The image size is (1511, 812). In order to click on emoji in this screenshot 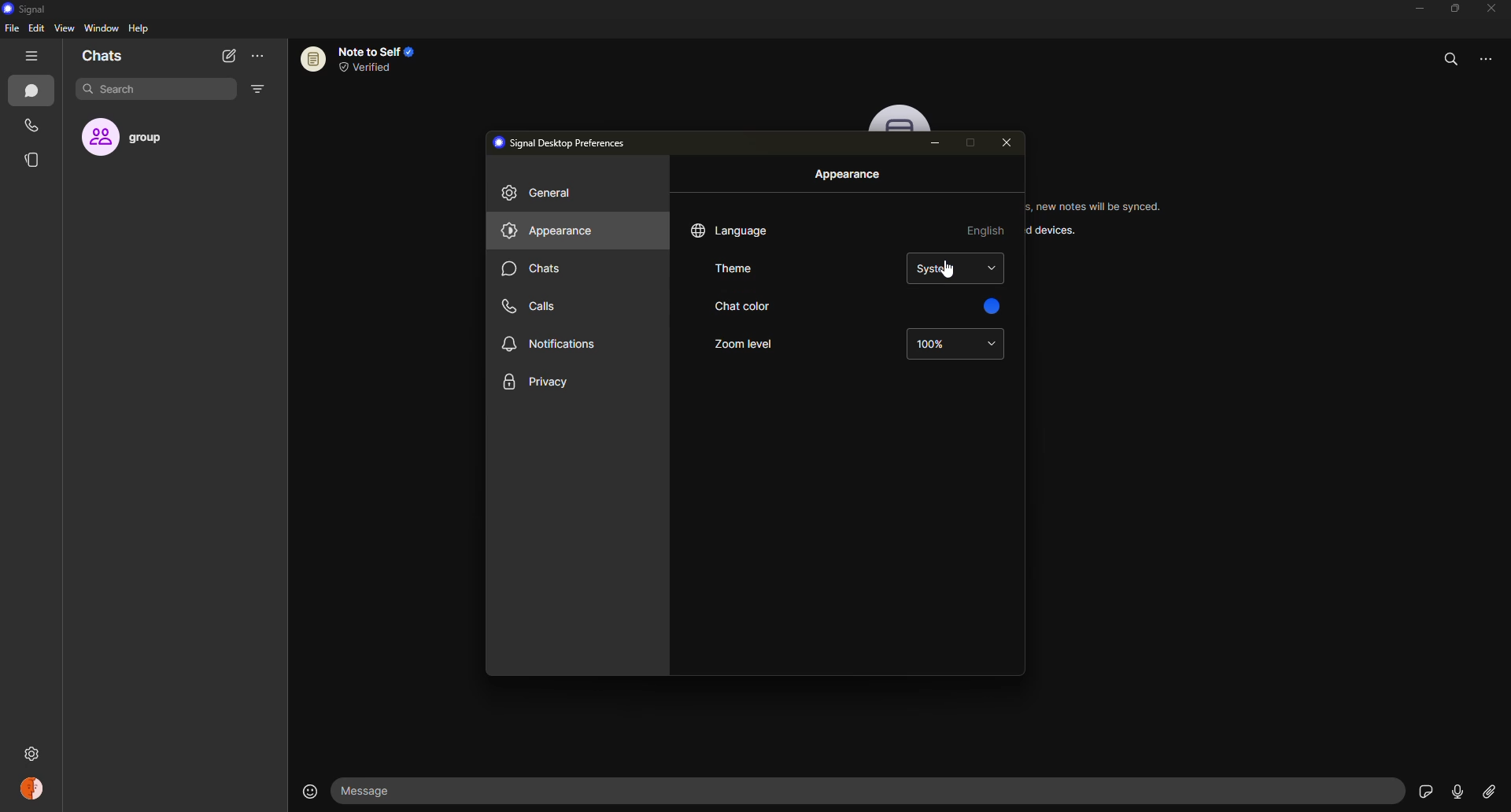, I will do `click(305, 789)`.